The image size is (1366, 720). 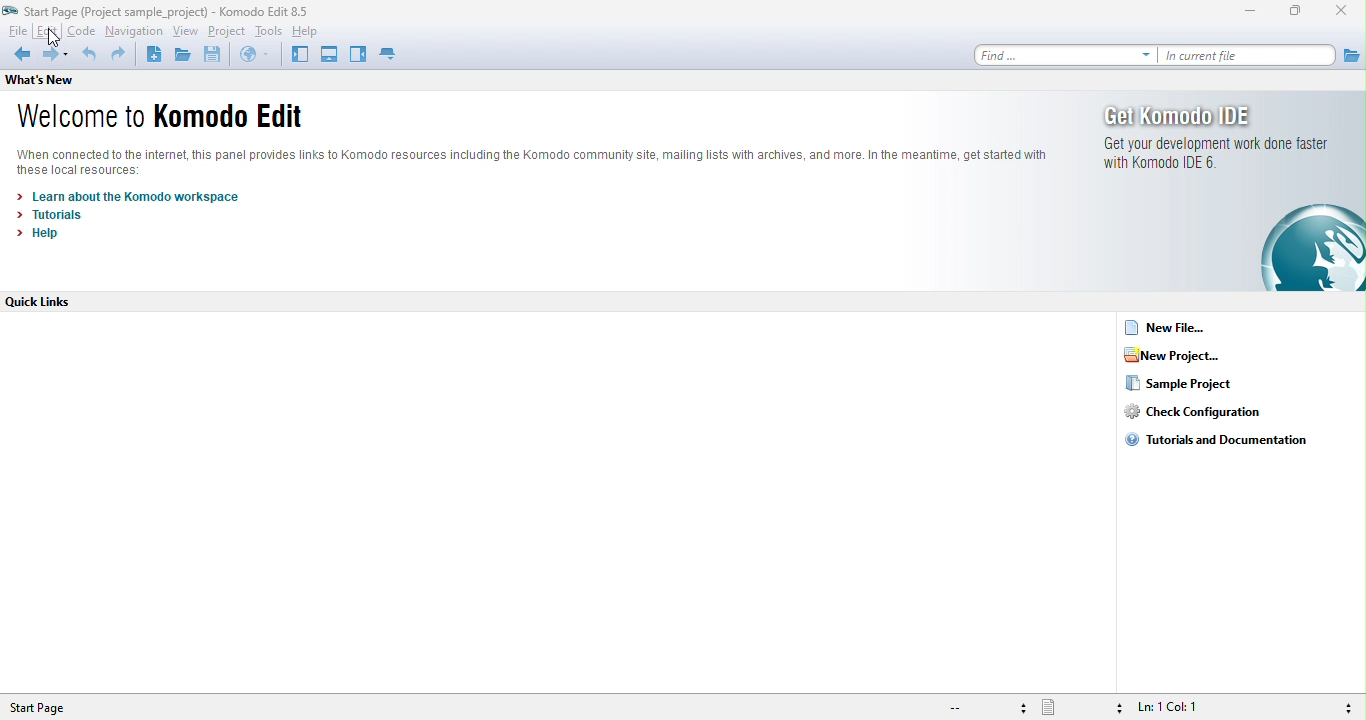 I want to click on file, so click(x=16, y=31).